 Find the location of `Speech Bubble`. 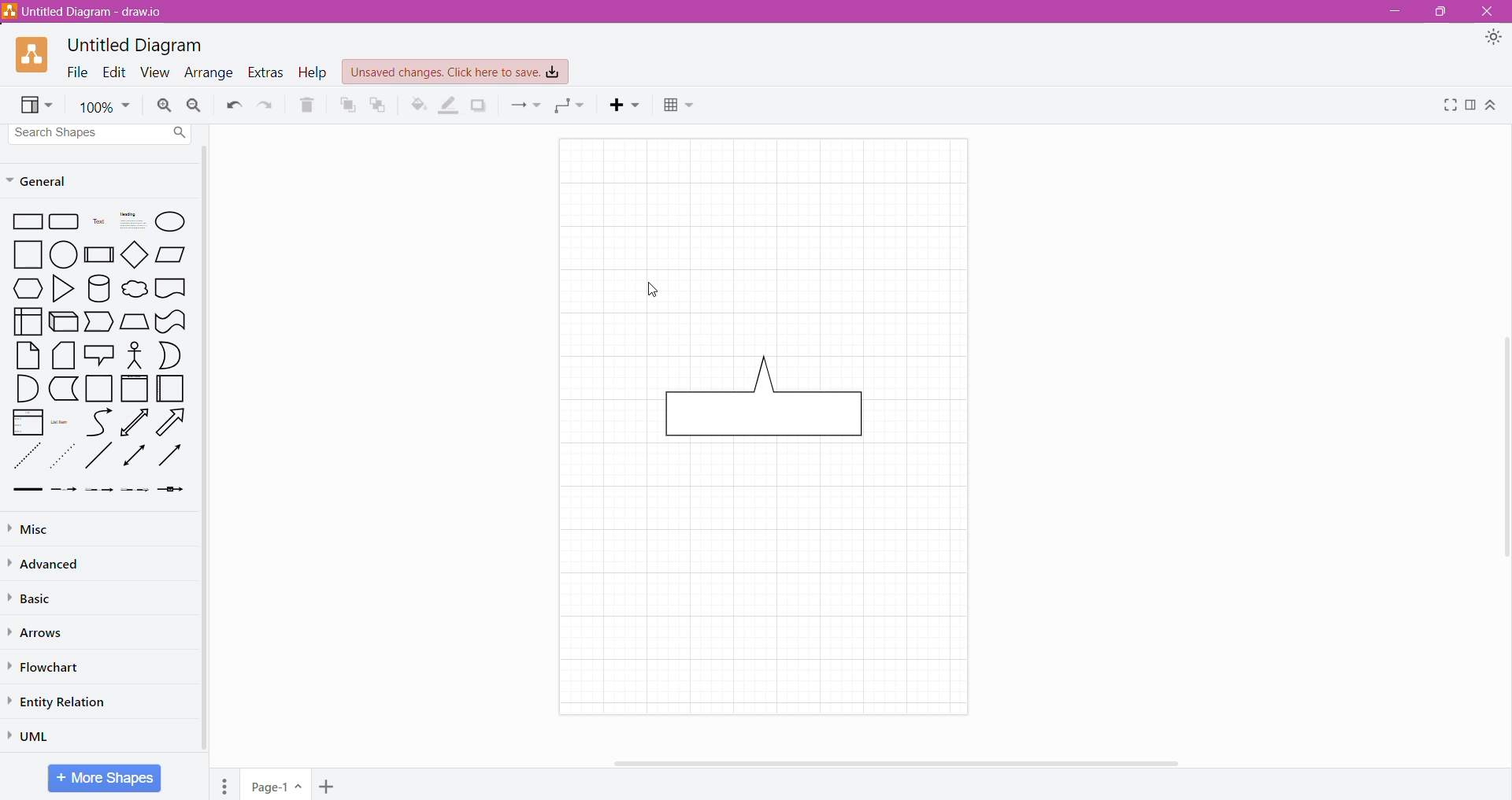

Speech Bubble is located at coordinates (99, 354).